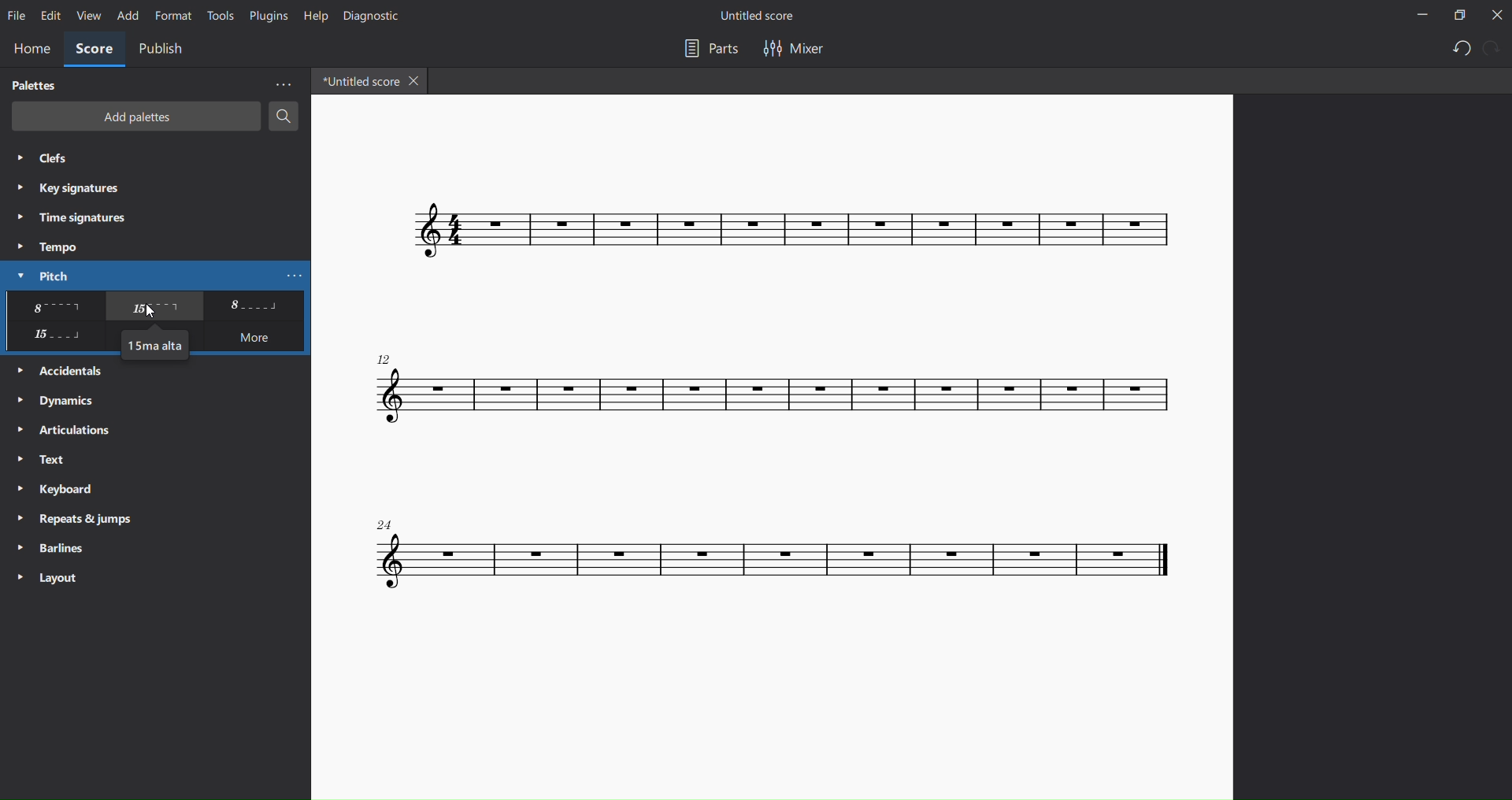  What do you see at coordinates (1459, 49) in the screenshot?
I see `undo` at bounding box center [1459, 49].